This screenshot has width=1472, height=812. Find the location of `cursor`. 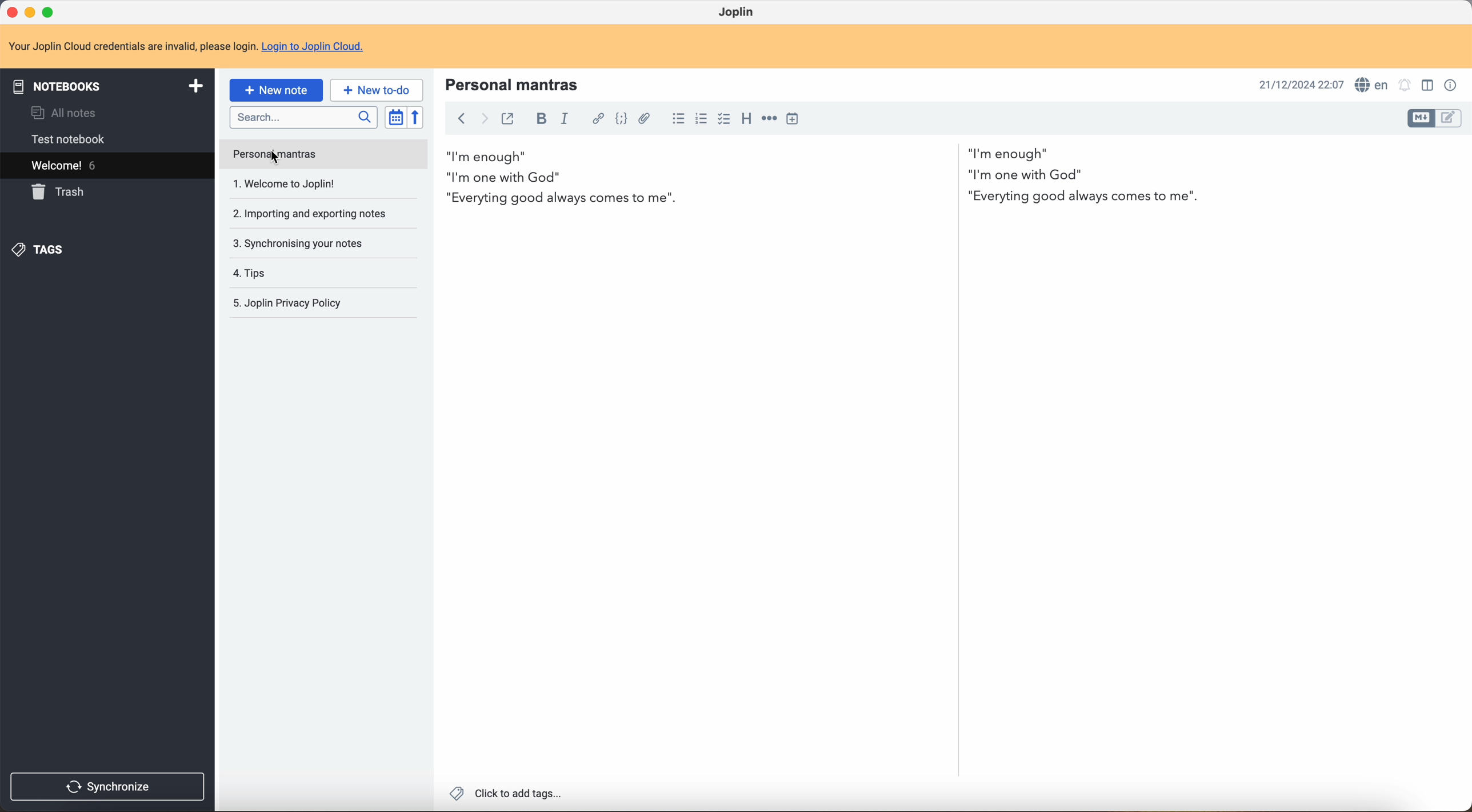

cursor is located at coordinates (273, 162).